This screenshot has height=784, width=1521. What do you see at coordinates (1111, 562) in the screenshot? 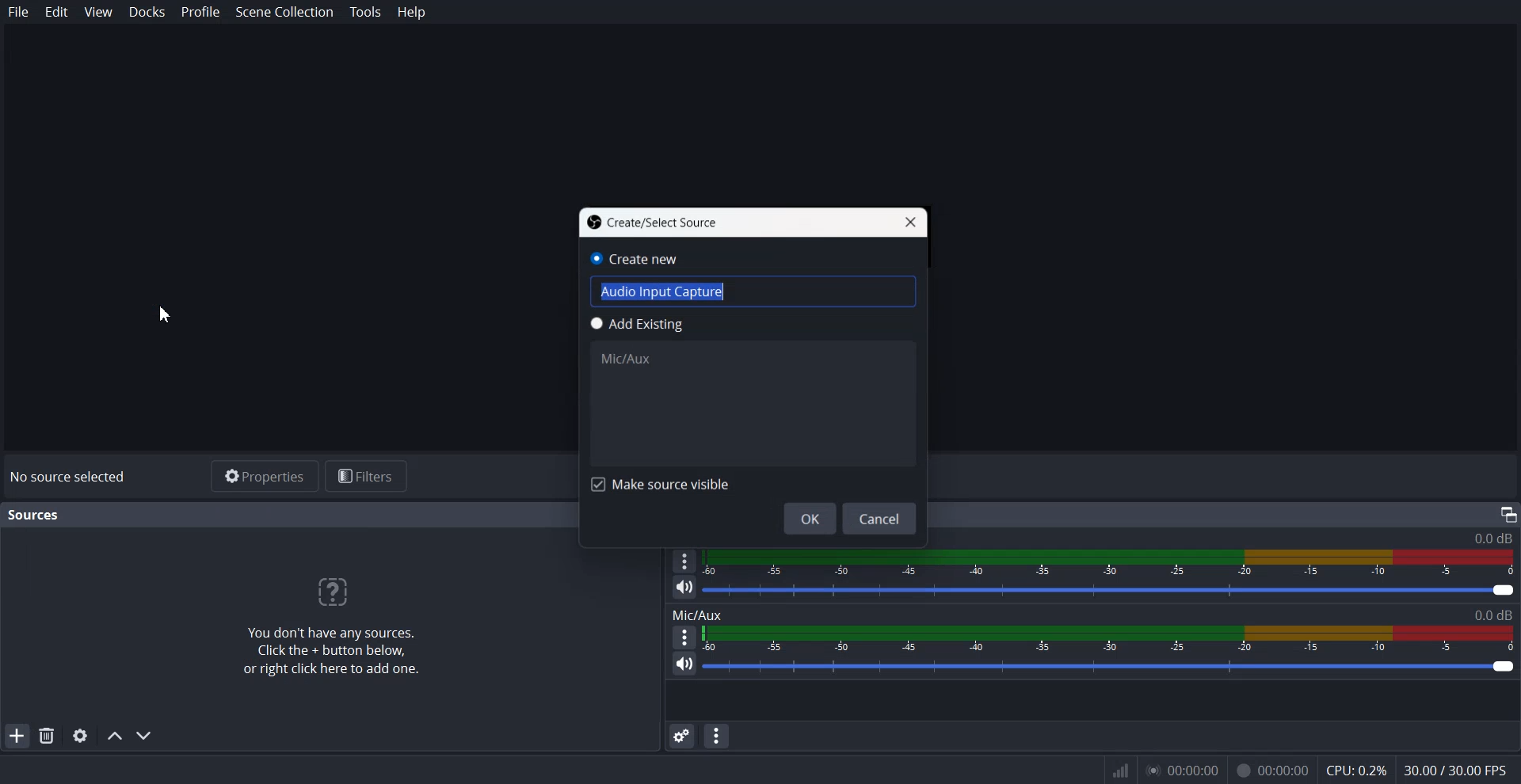
I see `Volume Indicator` at bounding box center [1111, 562].